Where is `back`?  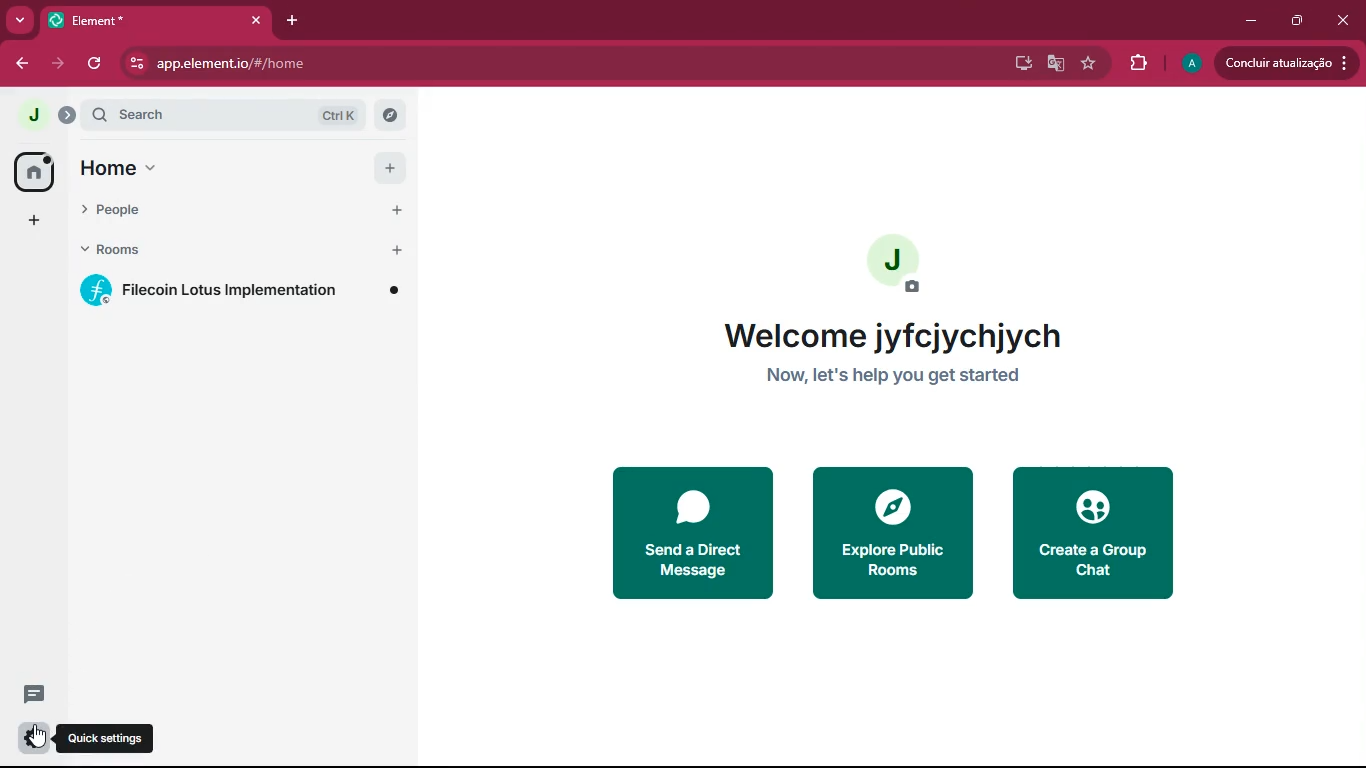 back is located at coordinates (20, 63).